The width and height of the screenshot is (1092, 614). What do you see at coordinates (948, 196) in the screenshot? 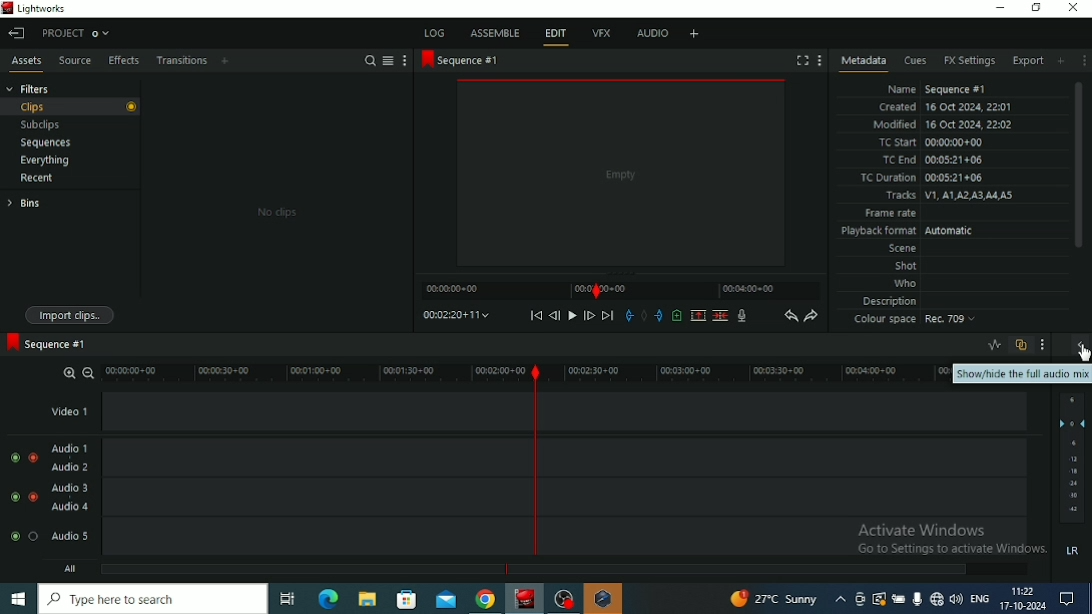
I see `Tracks` at bounding box center [948, 196].